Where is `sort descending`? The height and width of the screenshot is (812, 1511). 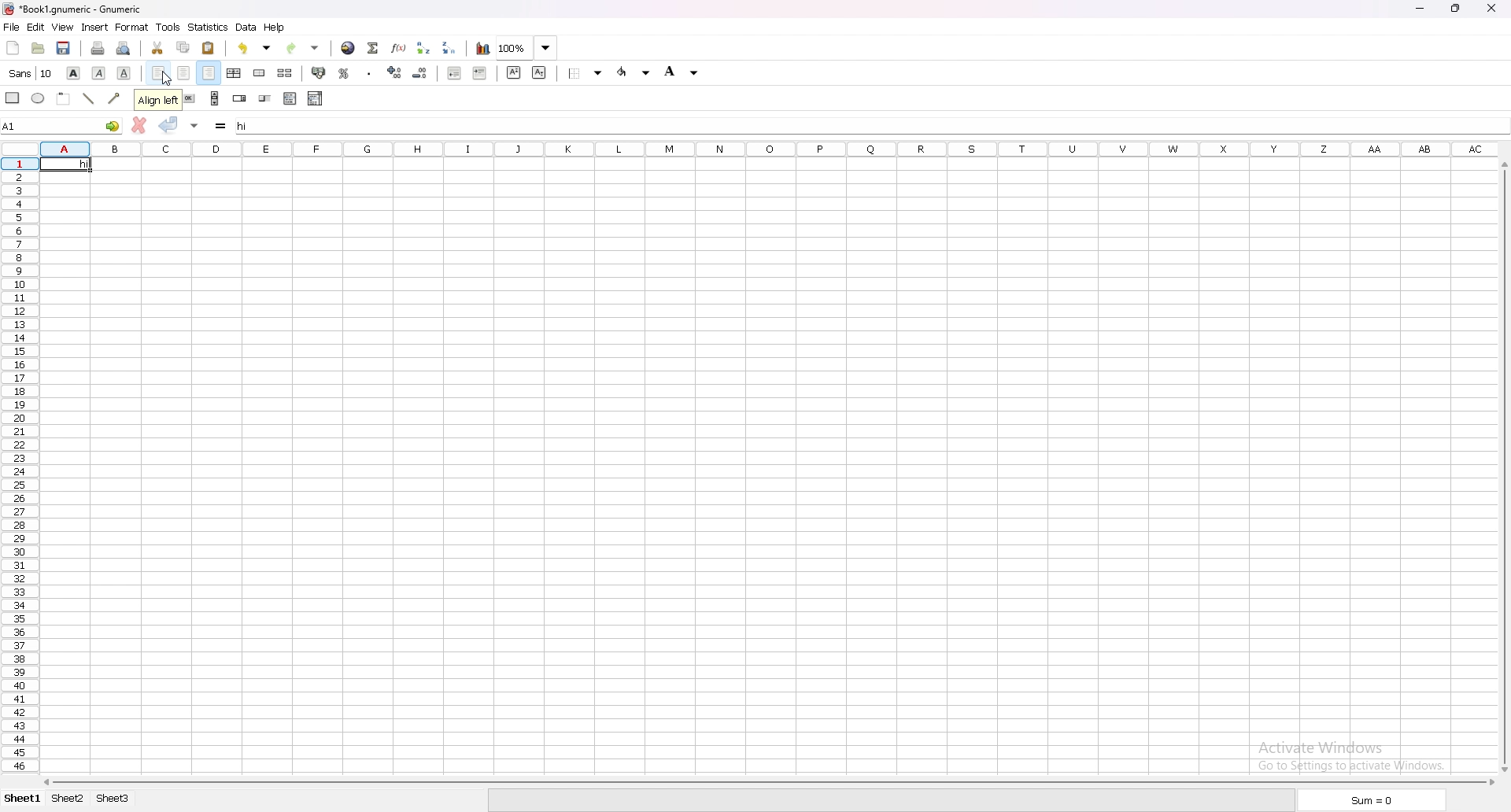 sort descending is located at coordinates (450, 47).